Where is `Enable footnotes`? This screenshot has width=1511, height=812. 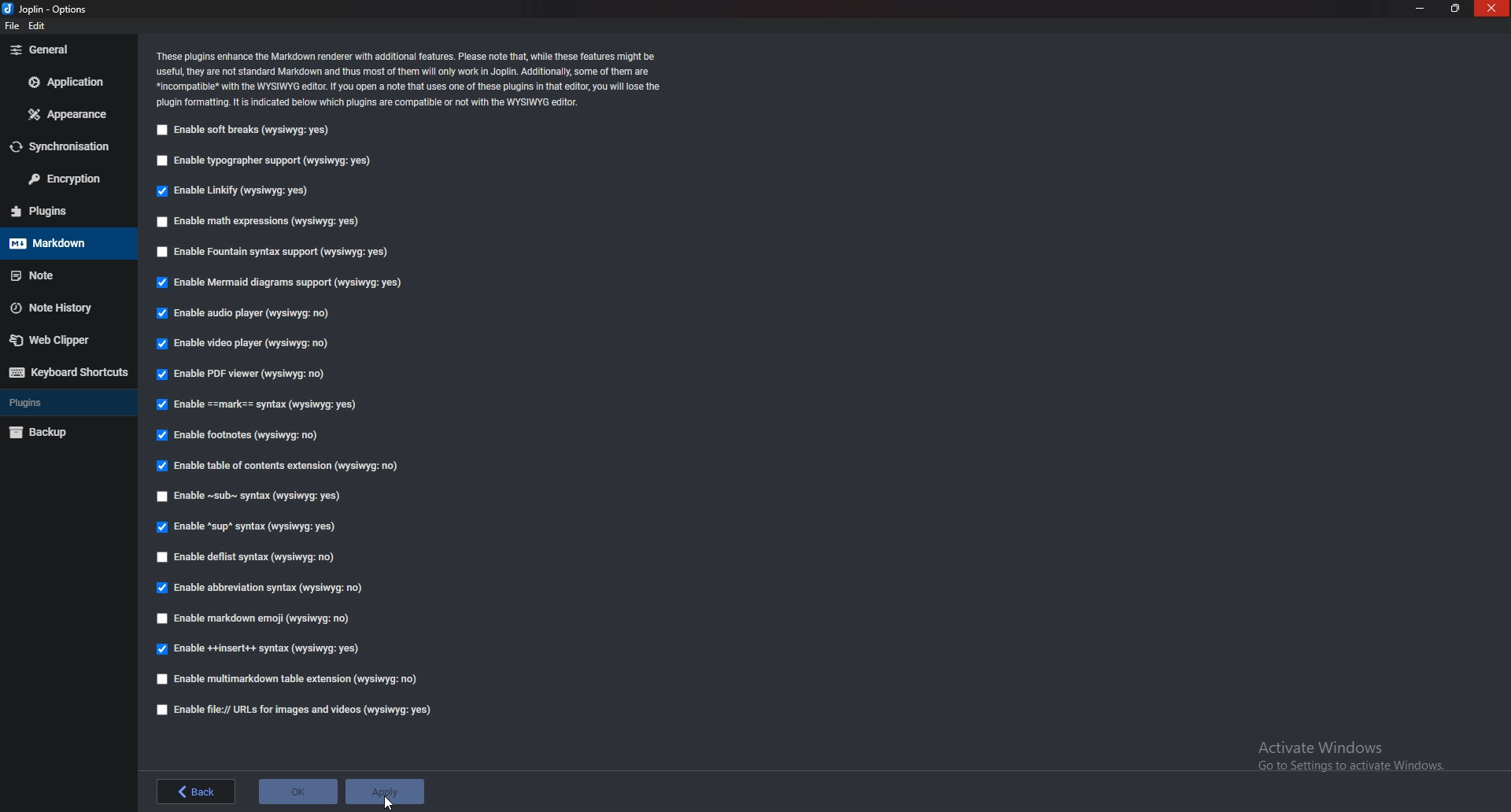 Enable footnotes is located at coordinates (242, 434).